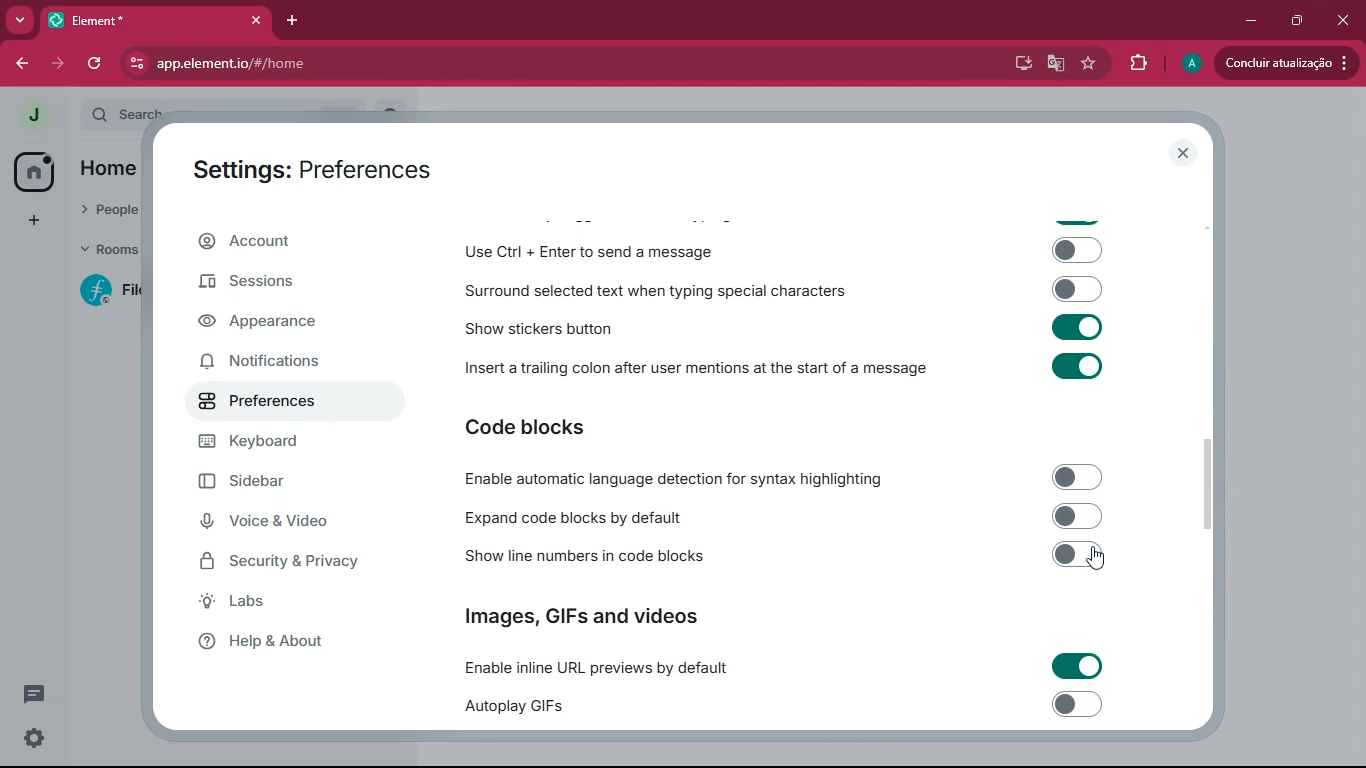  Describe the element at coordinates (34, 693) in the screenshot. I see `comments` at that location.